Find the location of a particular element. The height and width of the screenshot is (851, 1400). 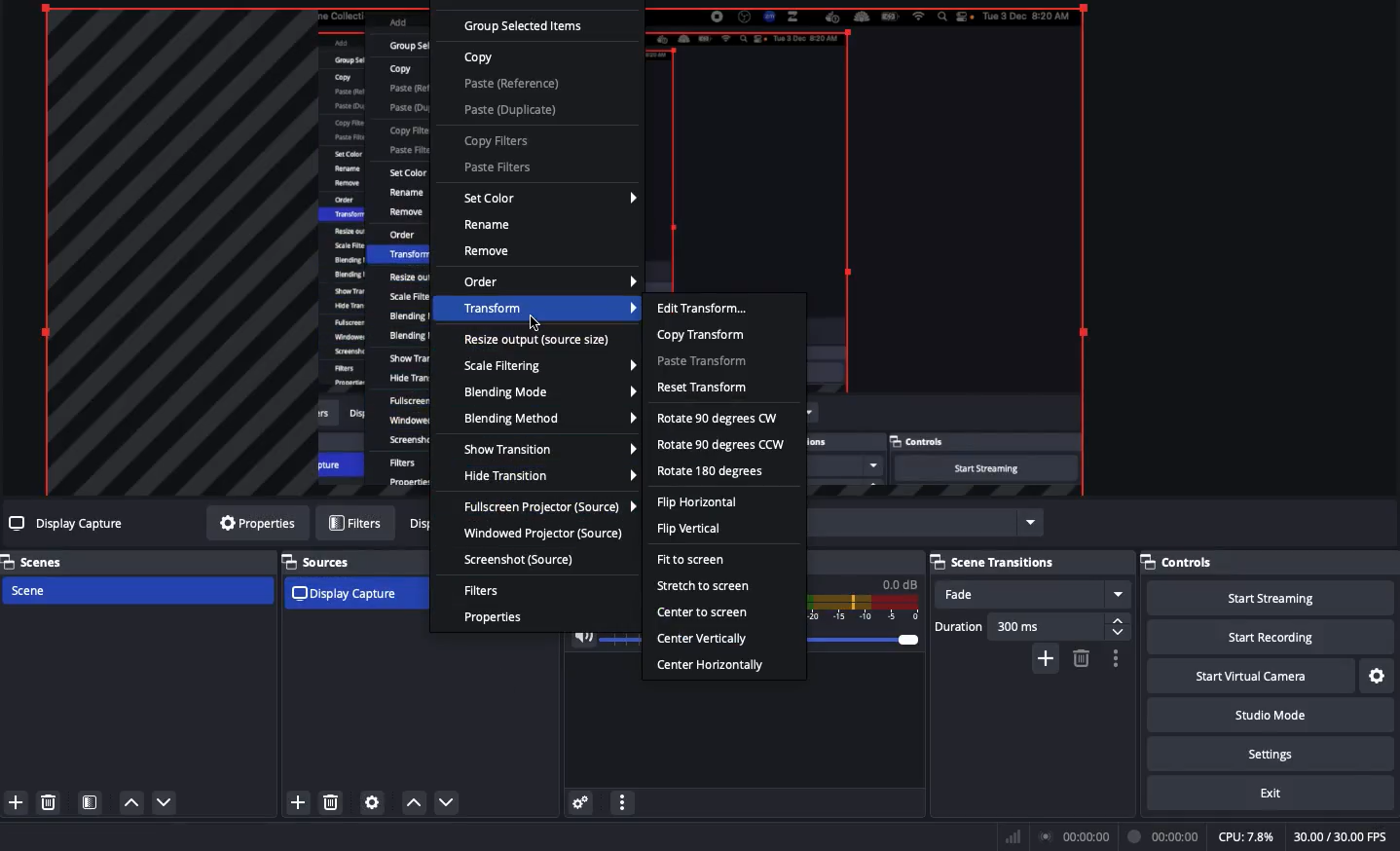

Center horizontally is located at coordinates (717, 667).